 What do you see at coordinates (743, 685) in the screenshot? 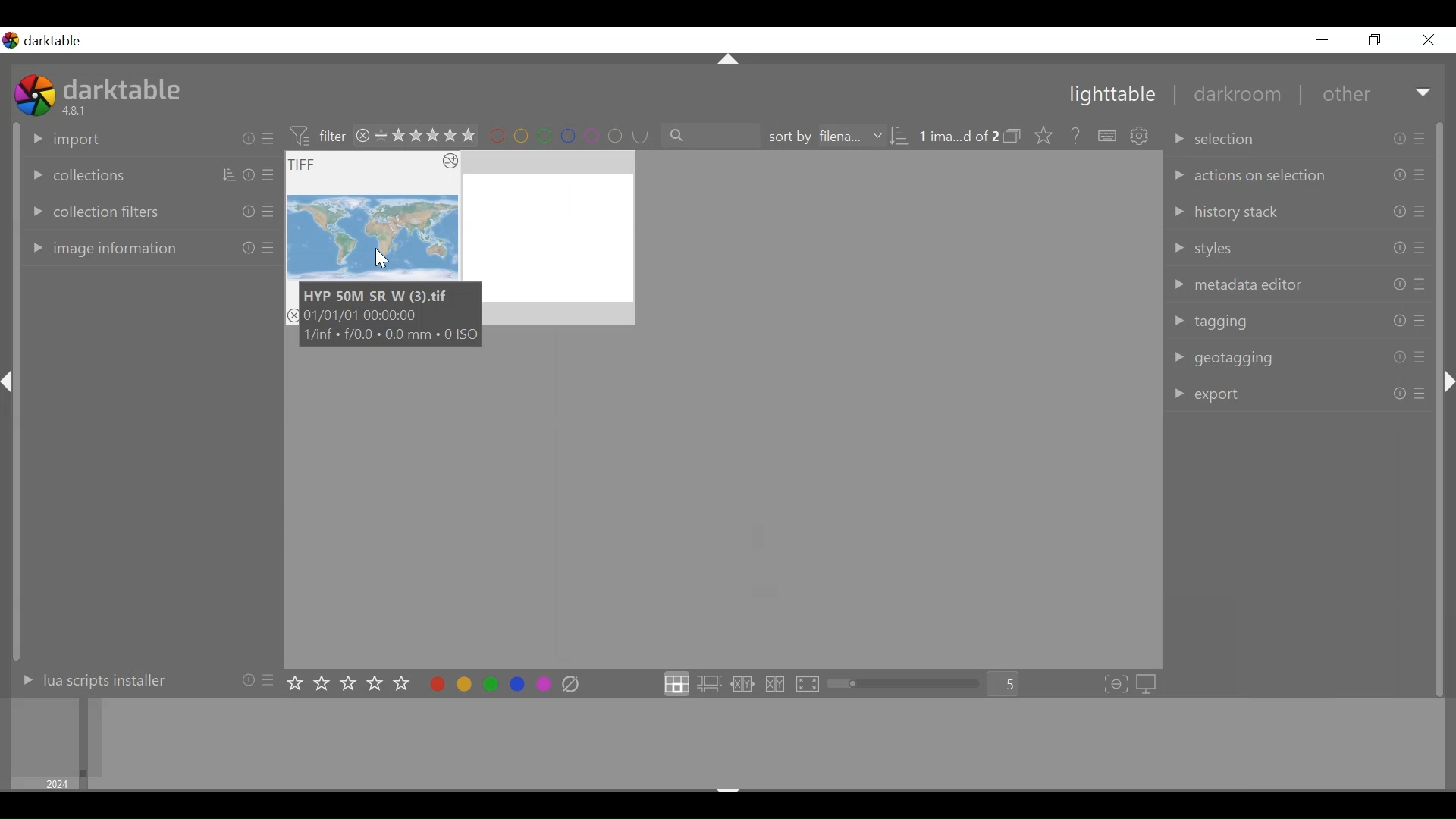
I see `click to enter culling layout in fixed mode` at bounding box center [743, 685].